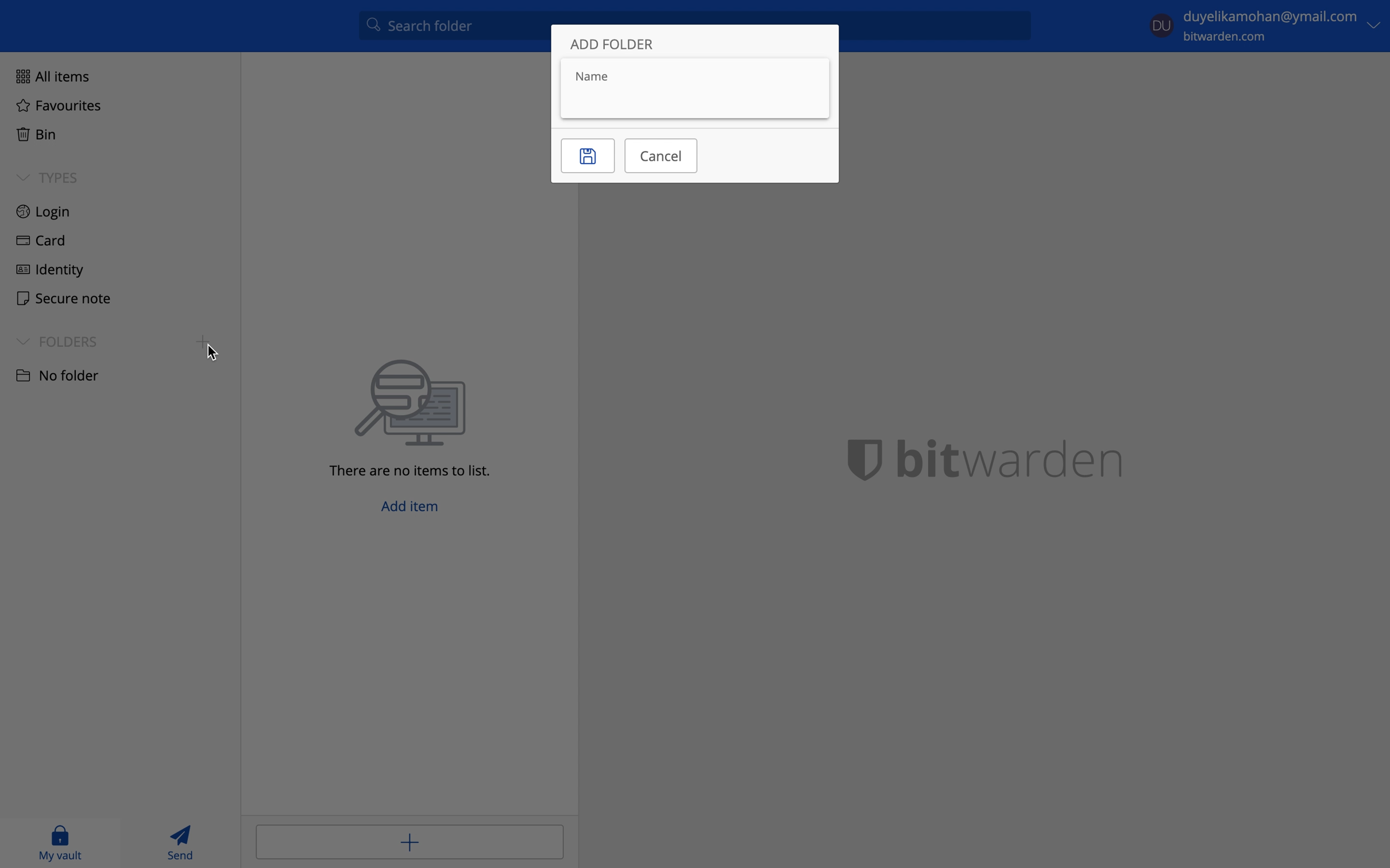 The height and width of the screenshot is (868, 1390). What do you see at coordinates (661, 154) in the screenshot?
I see `cancel` at bounding box center [661, 154].